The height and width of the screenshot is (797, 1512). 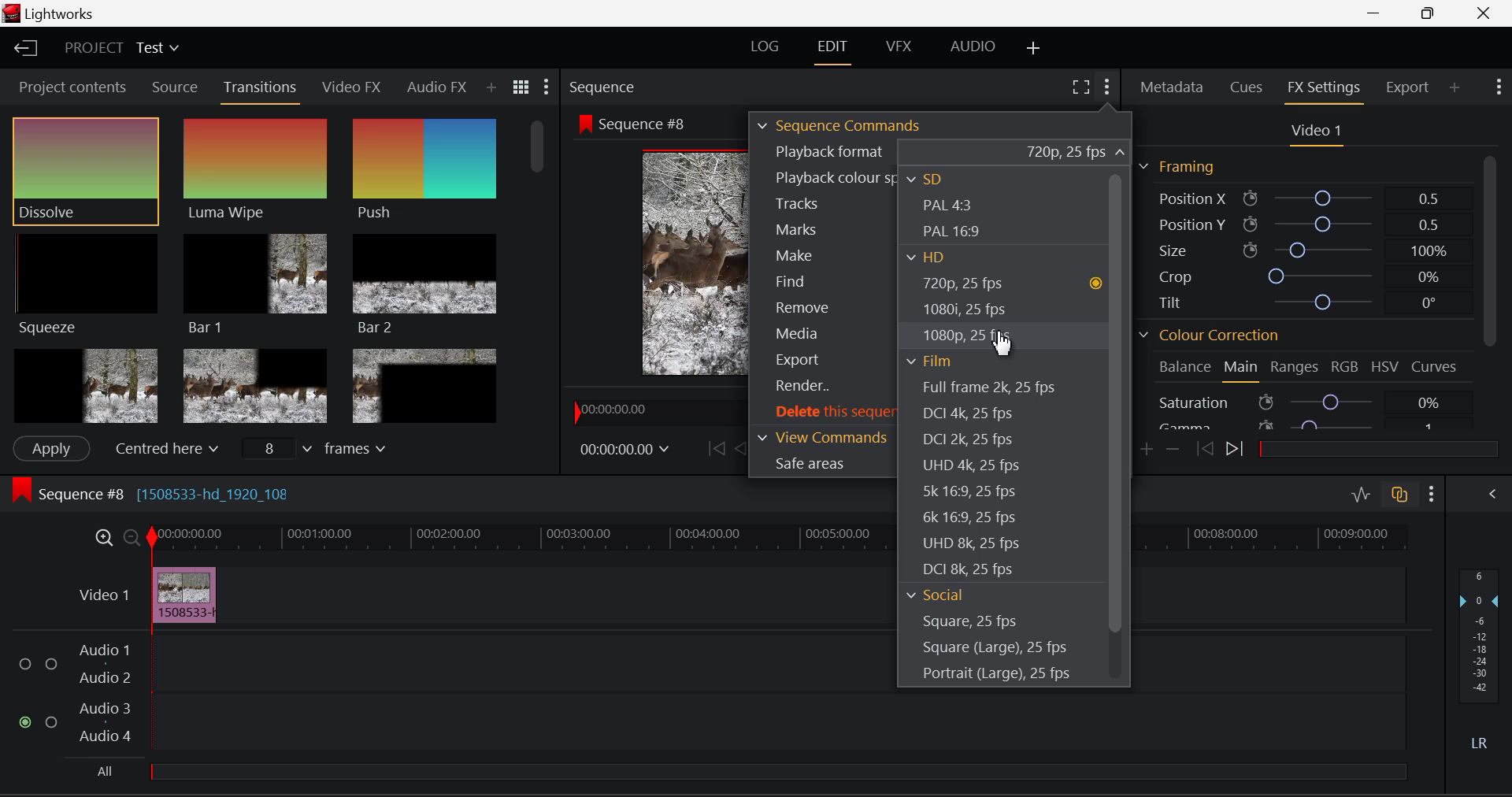 I want to click on Box 2, so click(x=255, y=385).